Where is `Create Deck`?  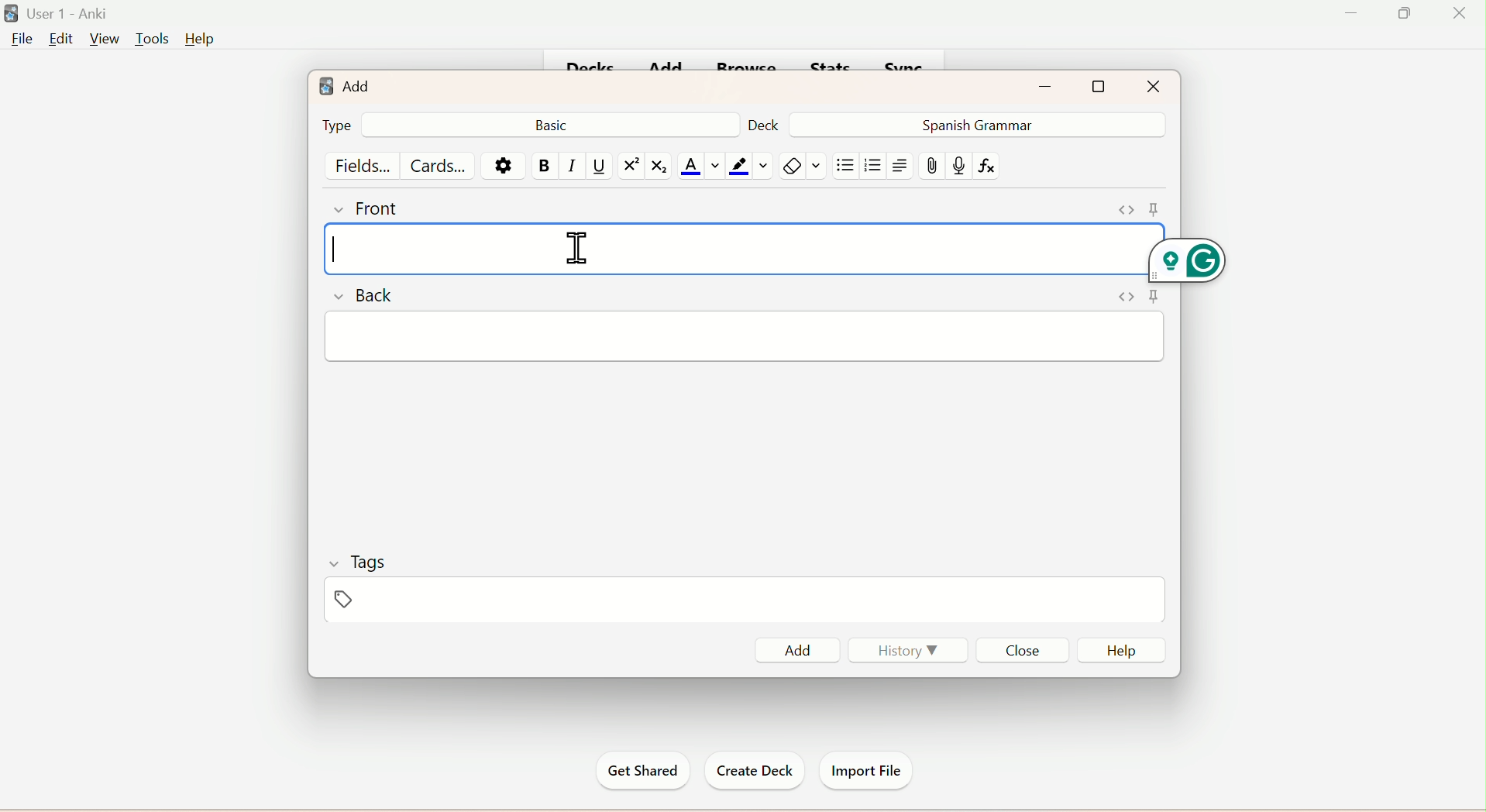
Create Deck is located at coordinates (750, 771).